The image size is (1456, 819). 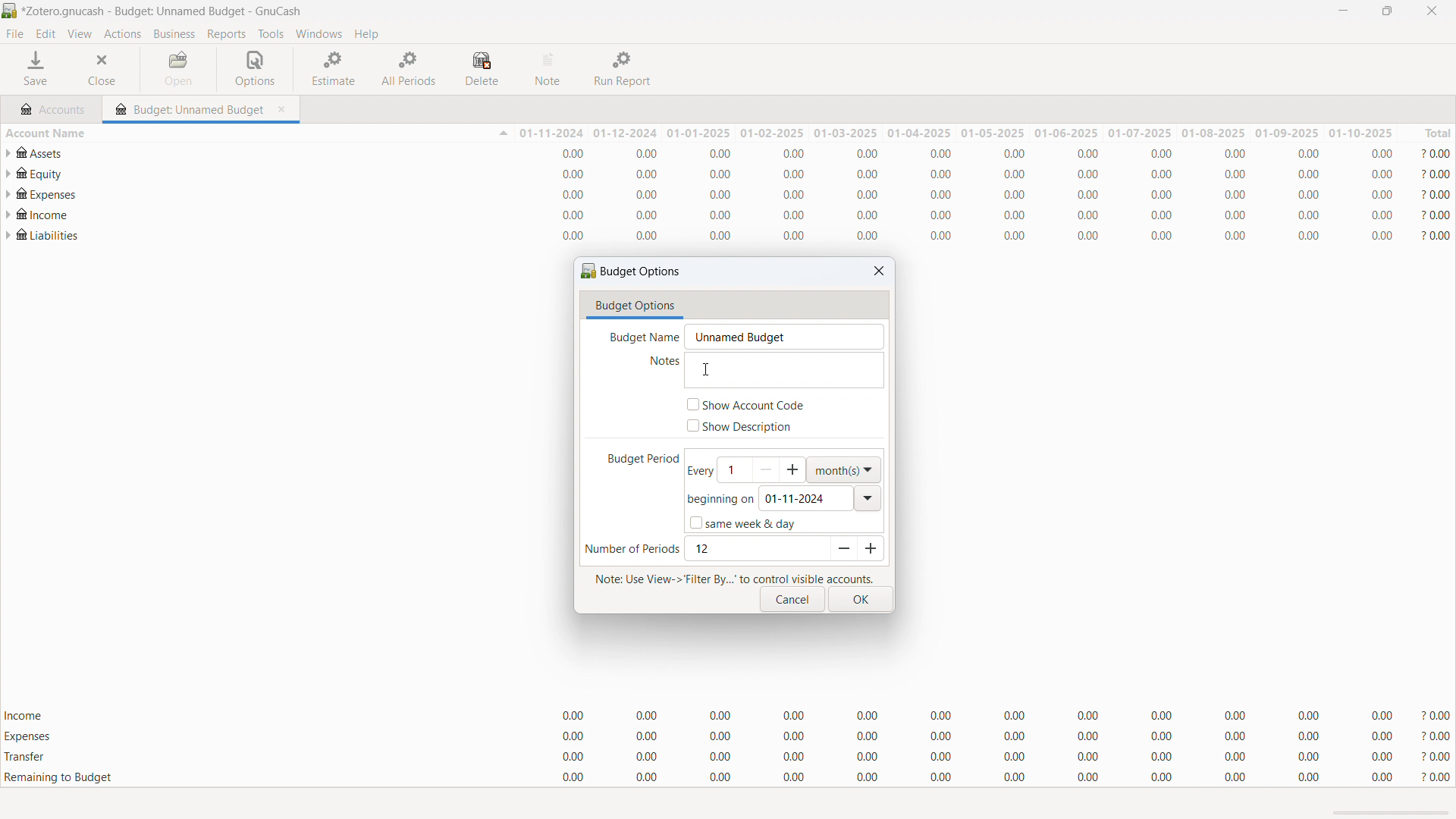 What do you see at coordinates (285, 107) in the screenshot?
I see `close tab` at bounding box center [285, 107].